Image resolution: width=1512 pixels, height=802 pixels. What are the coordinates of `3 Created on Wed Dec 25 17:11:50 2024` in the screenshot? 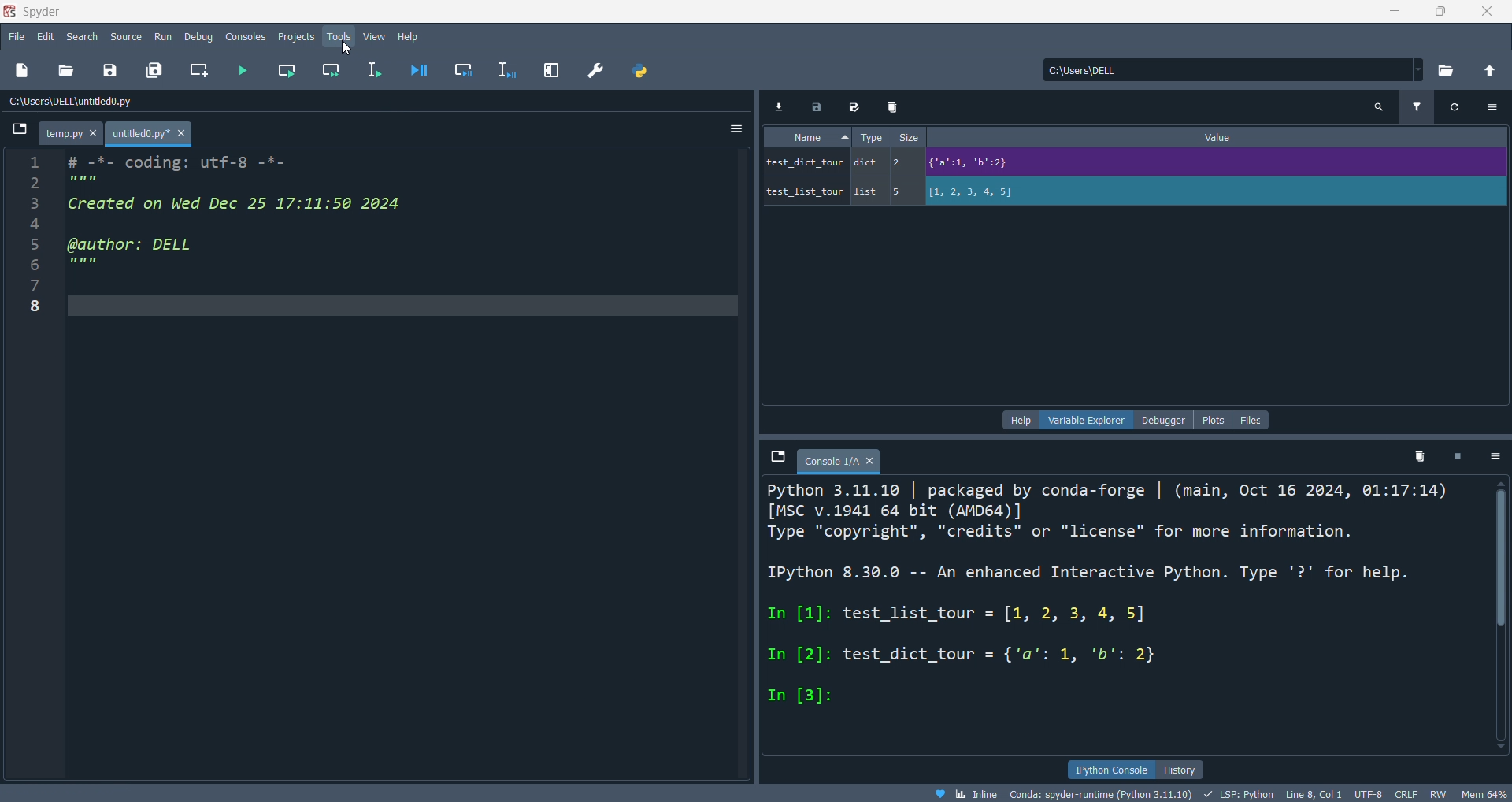 It's located at (230, 204).